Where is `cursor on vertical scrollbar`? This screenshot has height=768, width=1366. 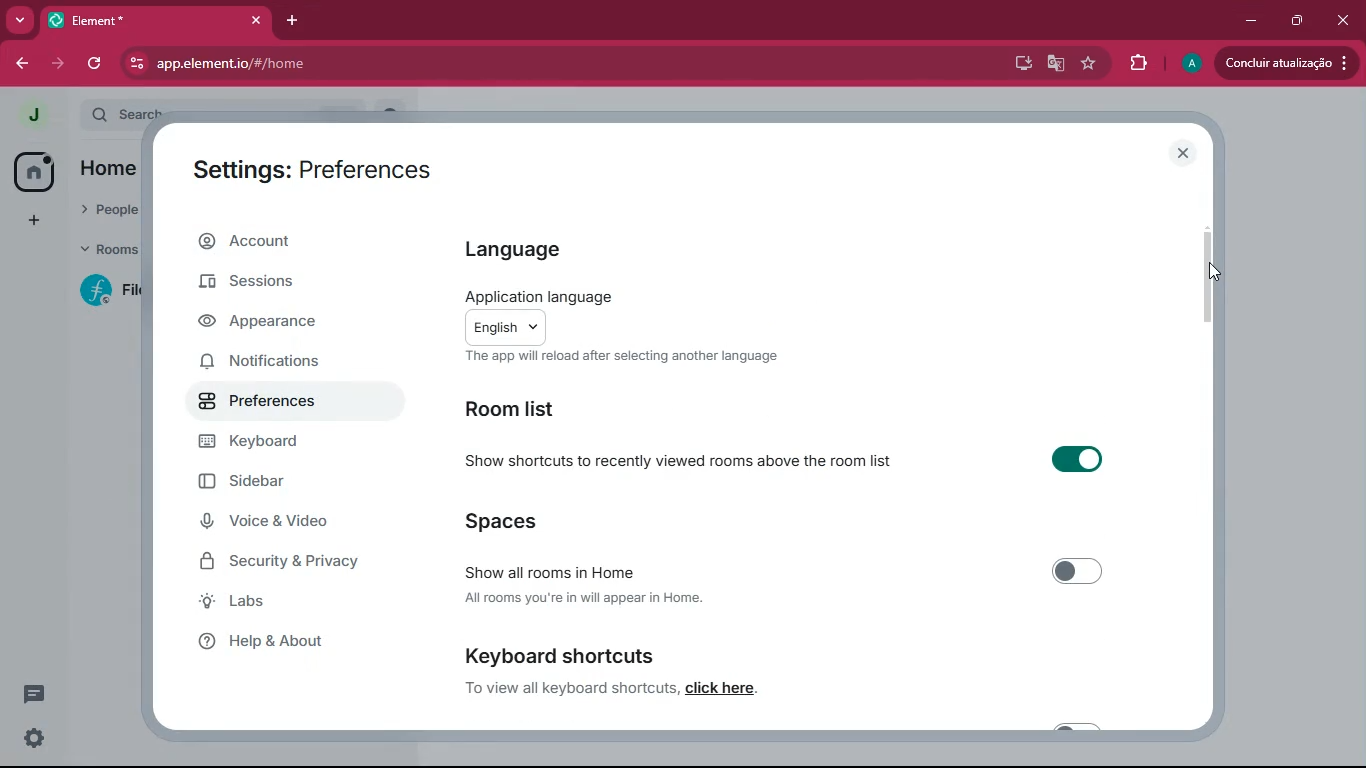 cursor on vertical scrollbar is located at coordinates (1211, 270).